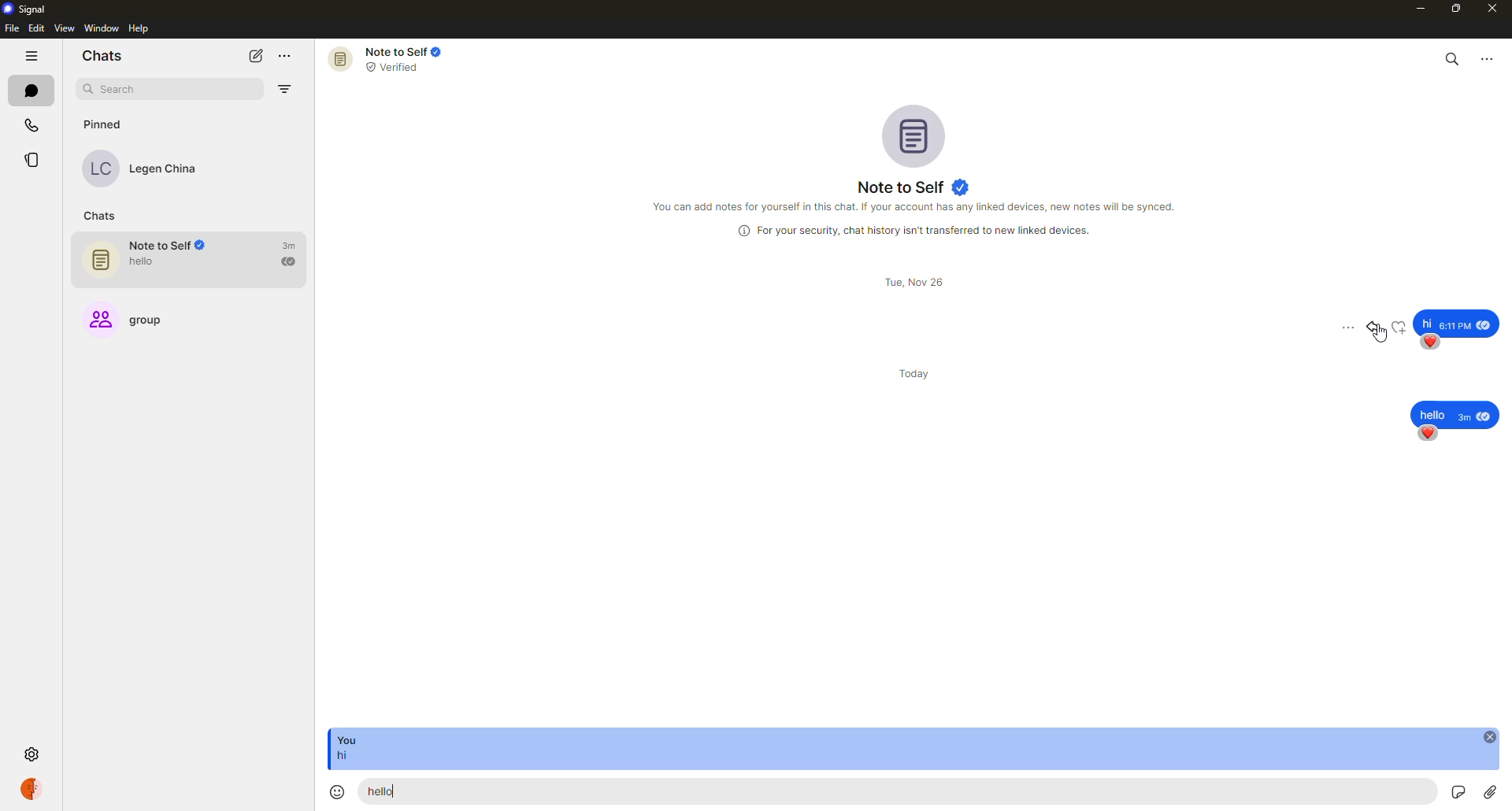 The width and height of the screenshot is (1512, 811). What do you see at coordinates (914, 184) in the screenshot?
I see `note to self` at bounding box center [914, 184].